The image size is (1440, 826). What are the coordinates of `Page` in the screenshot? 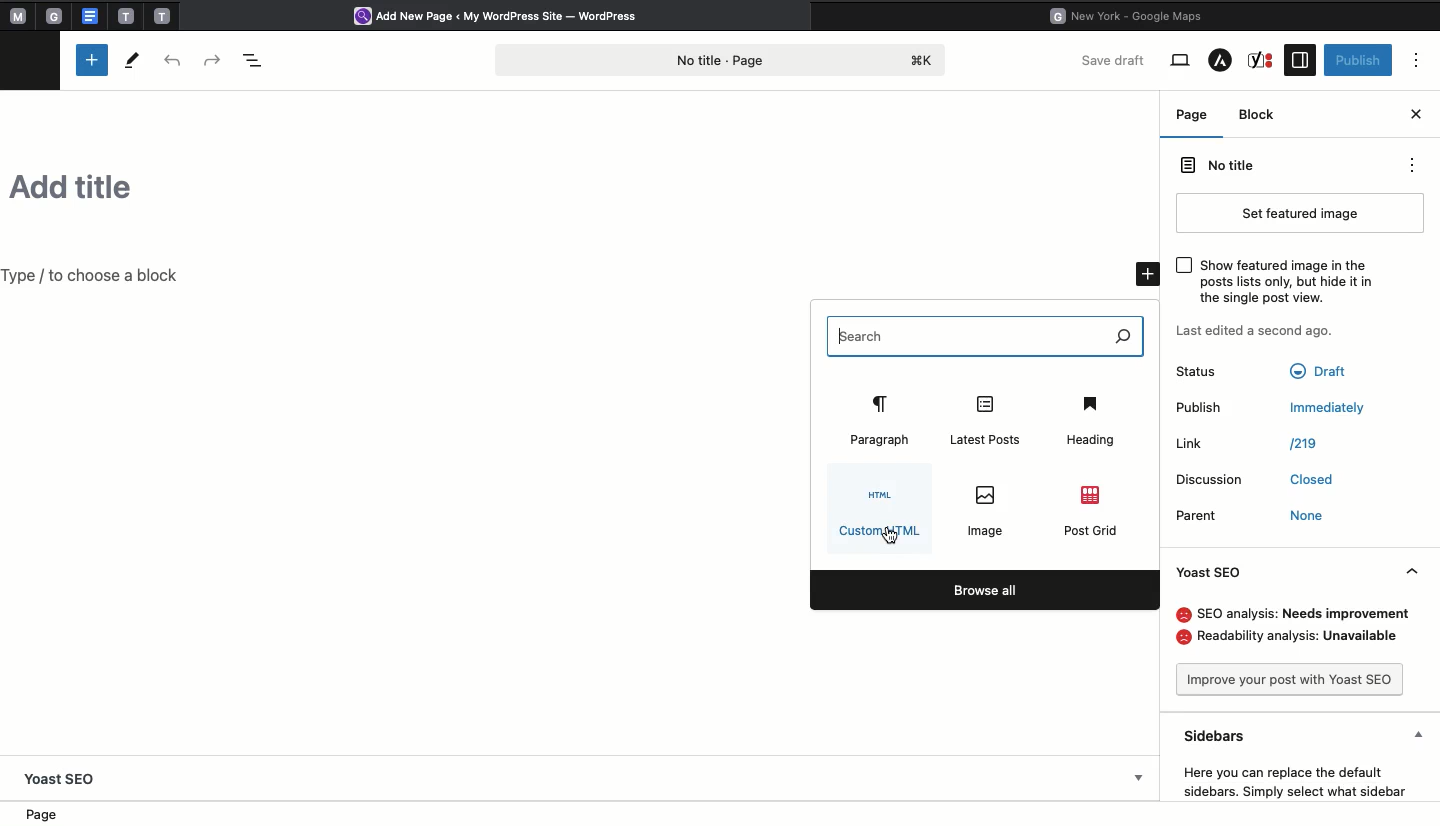 It's located at (725, 58).